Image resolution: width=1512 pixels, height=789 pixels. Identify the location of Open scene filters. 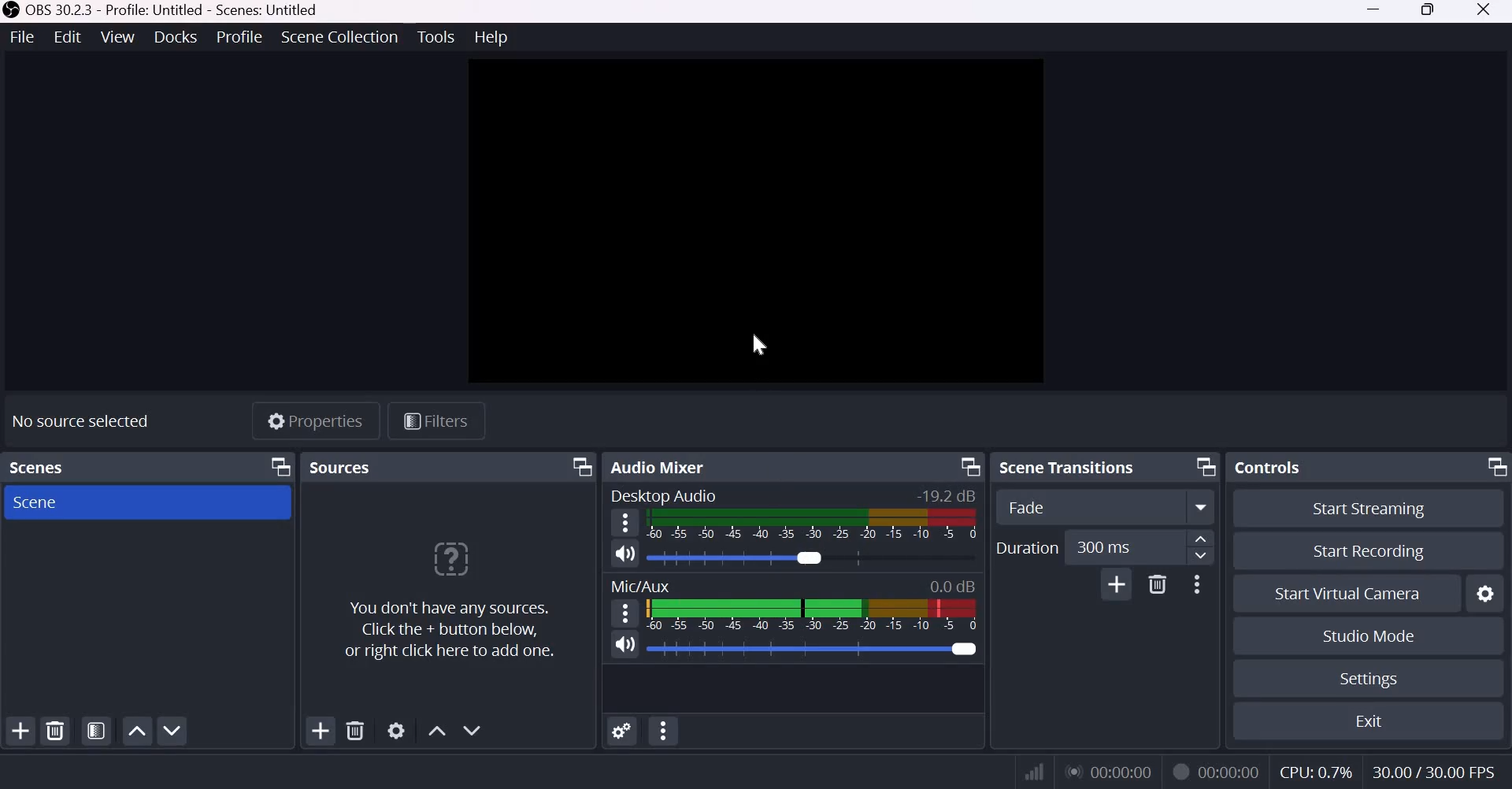
(97, 732).